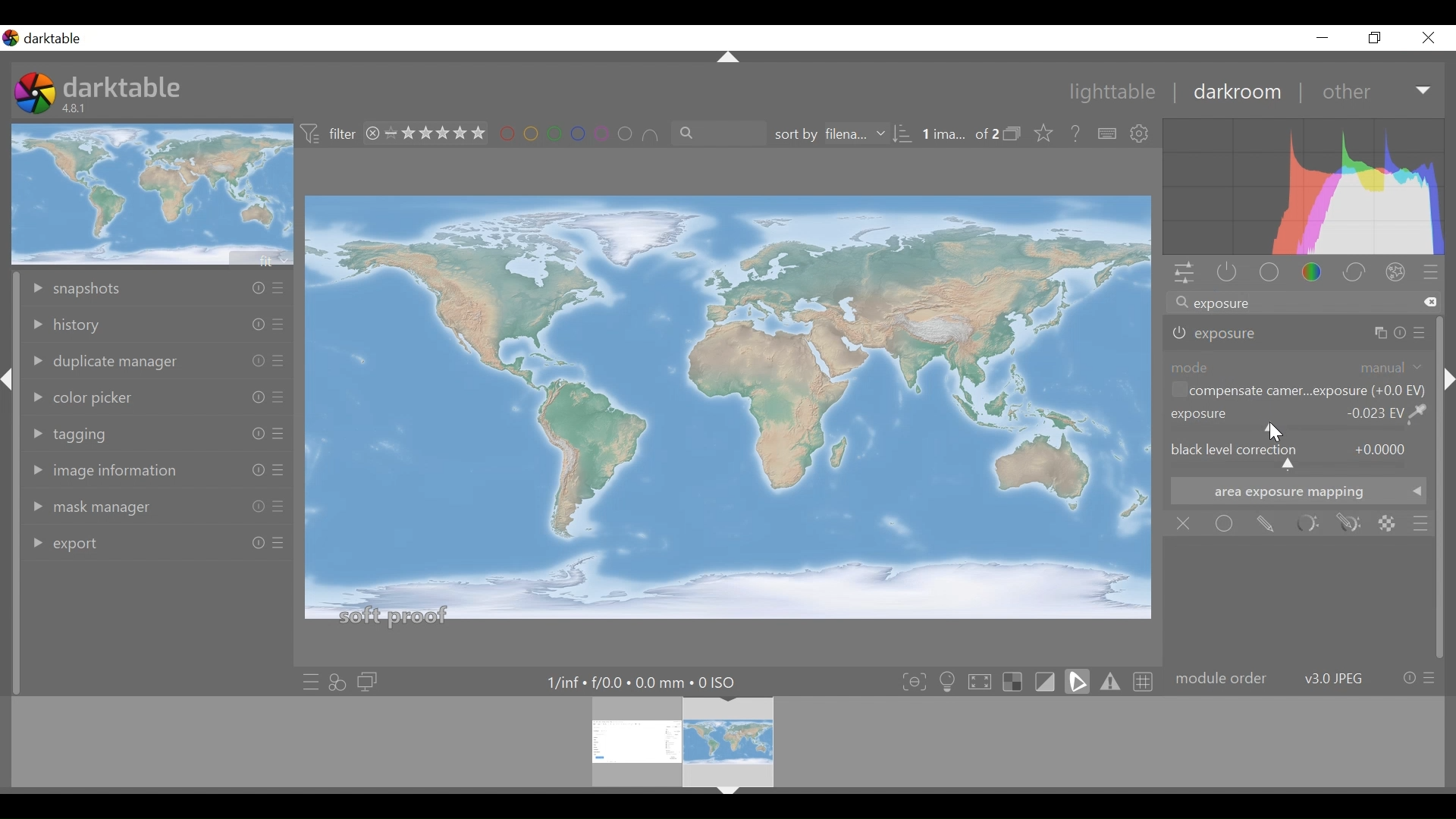 The image size is (1456, 819). What do you see at coordinates (727, 797) in the screenshot?
I see `` at bounding box center [727, 797].